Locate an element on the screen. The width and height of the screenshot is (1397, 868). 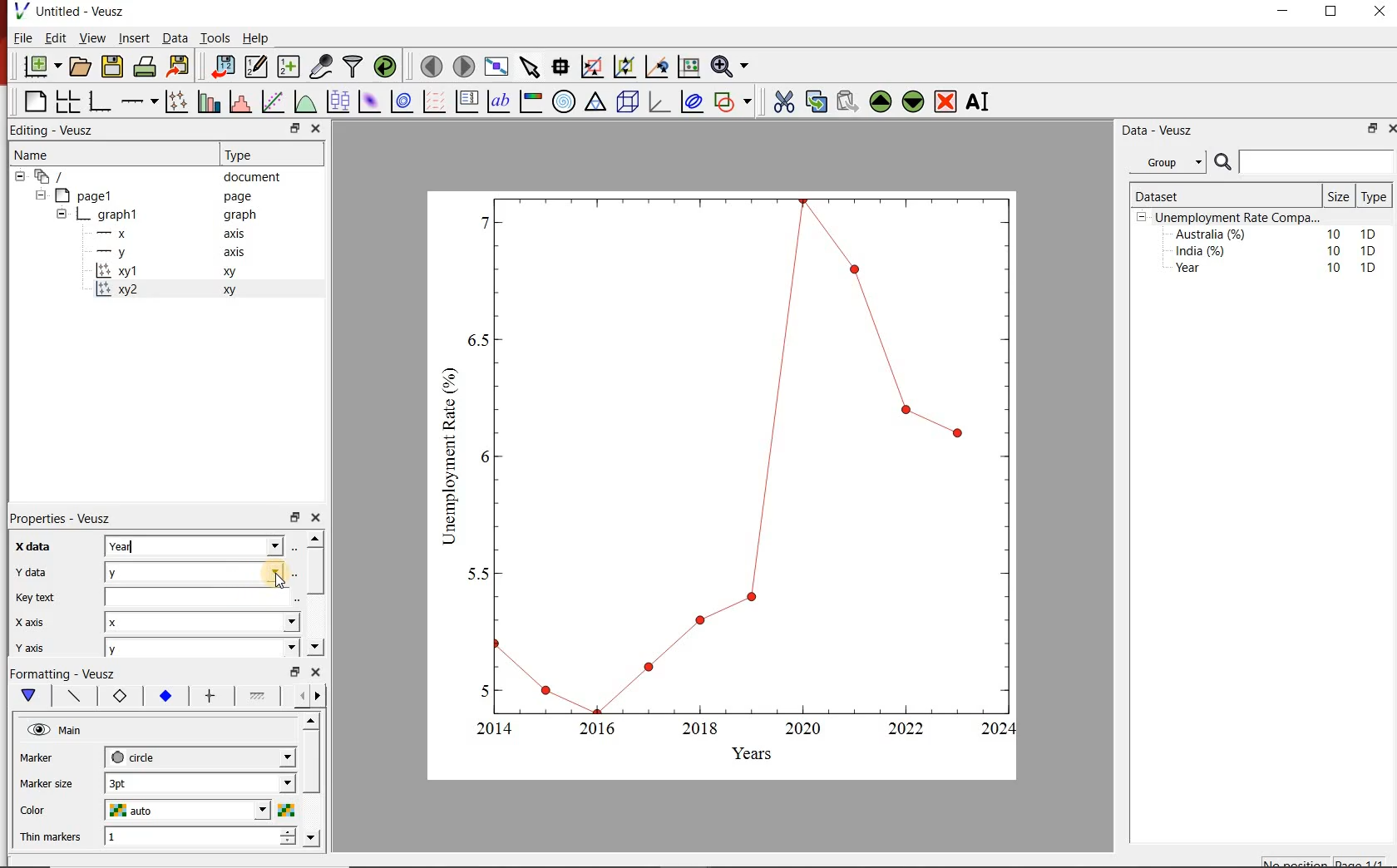
close is located at coordinates (1392, 127).